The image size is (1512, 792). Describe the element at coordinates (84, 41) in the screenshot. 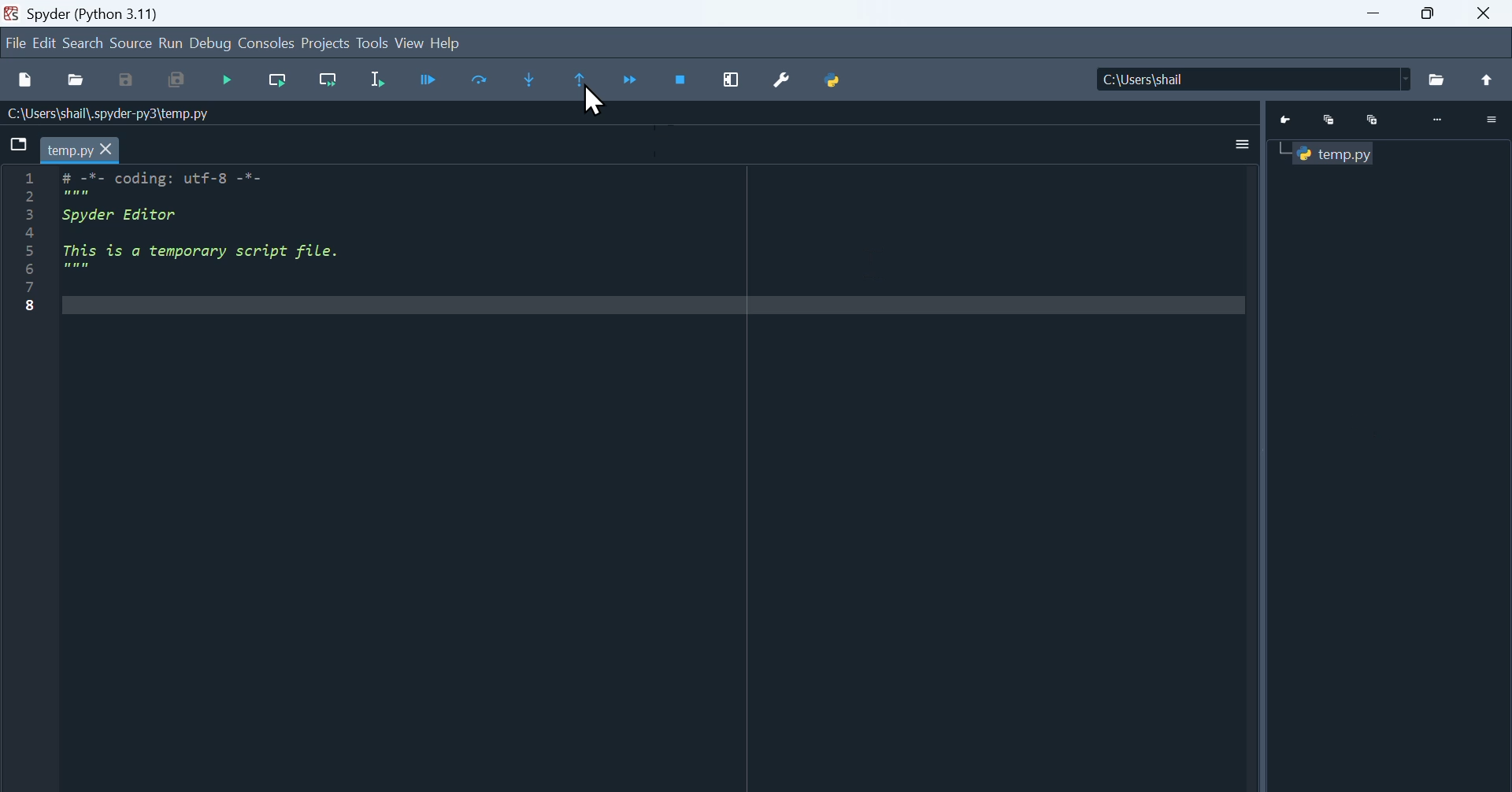

I see `Search` at that location.